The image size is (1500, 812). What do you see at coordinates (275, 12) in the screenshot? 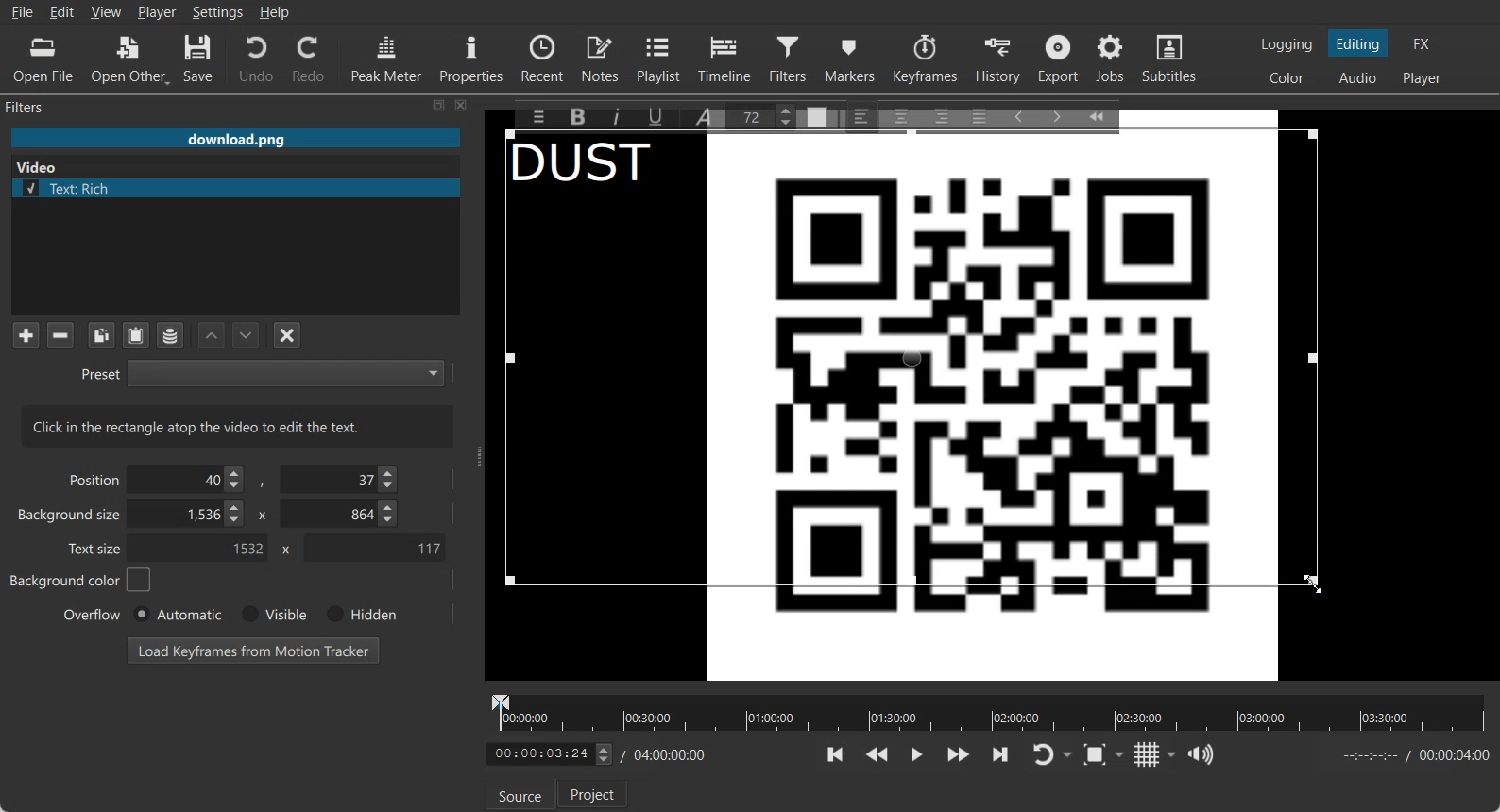
I see `Help` at bounding box center [275, 12].